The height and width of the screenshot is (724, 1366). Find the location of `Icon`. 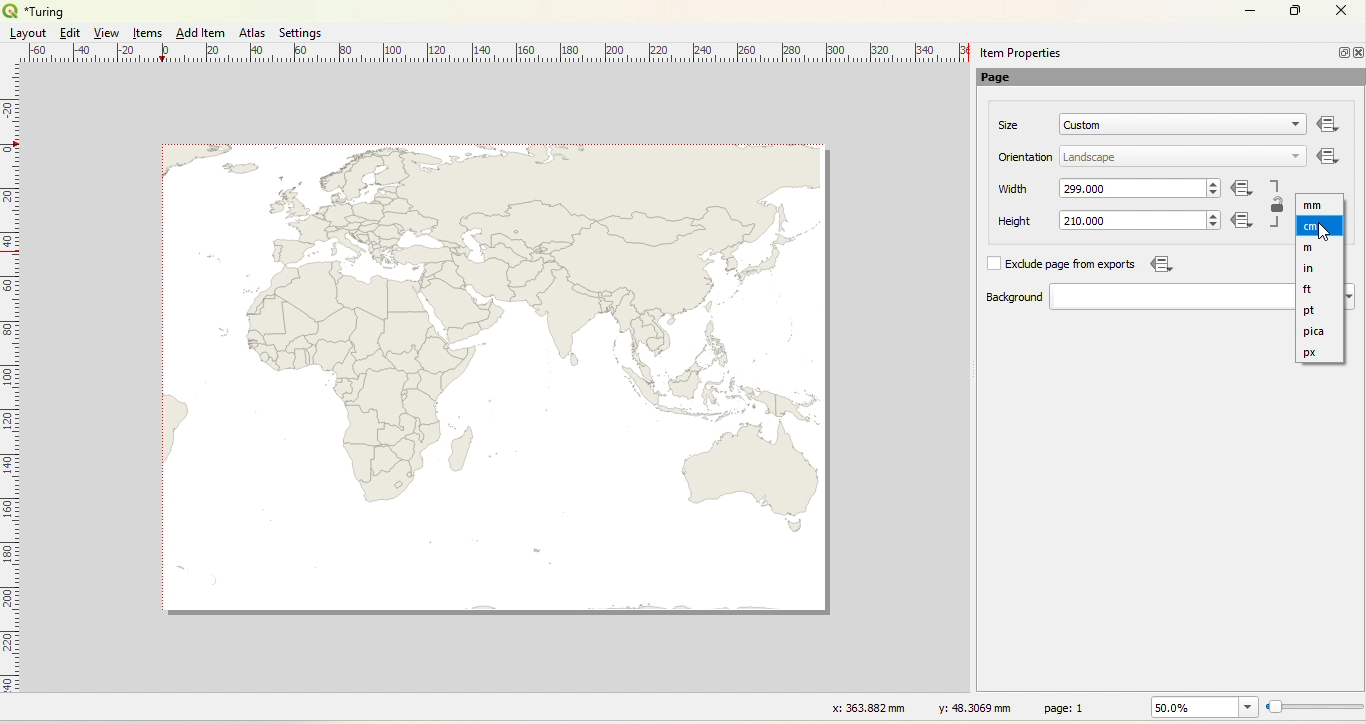

Icon is located at coordinates (1243, 190).